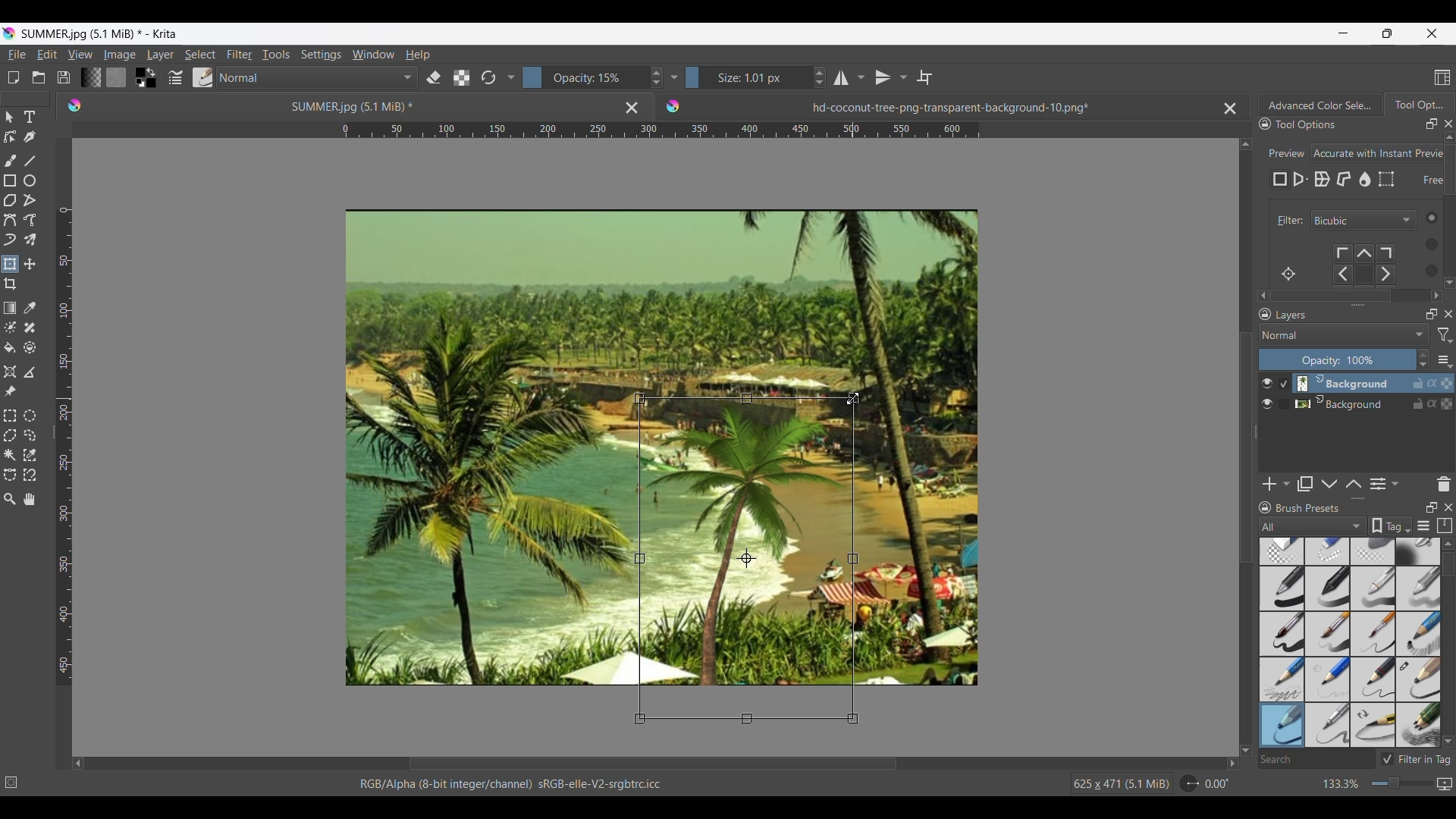 The height and width of the screenshot is (819, 1456). Describe the element at coordinates (924, 77) in the screenshot. I see `Wrap around mode` at that location.